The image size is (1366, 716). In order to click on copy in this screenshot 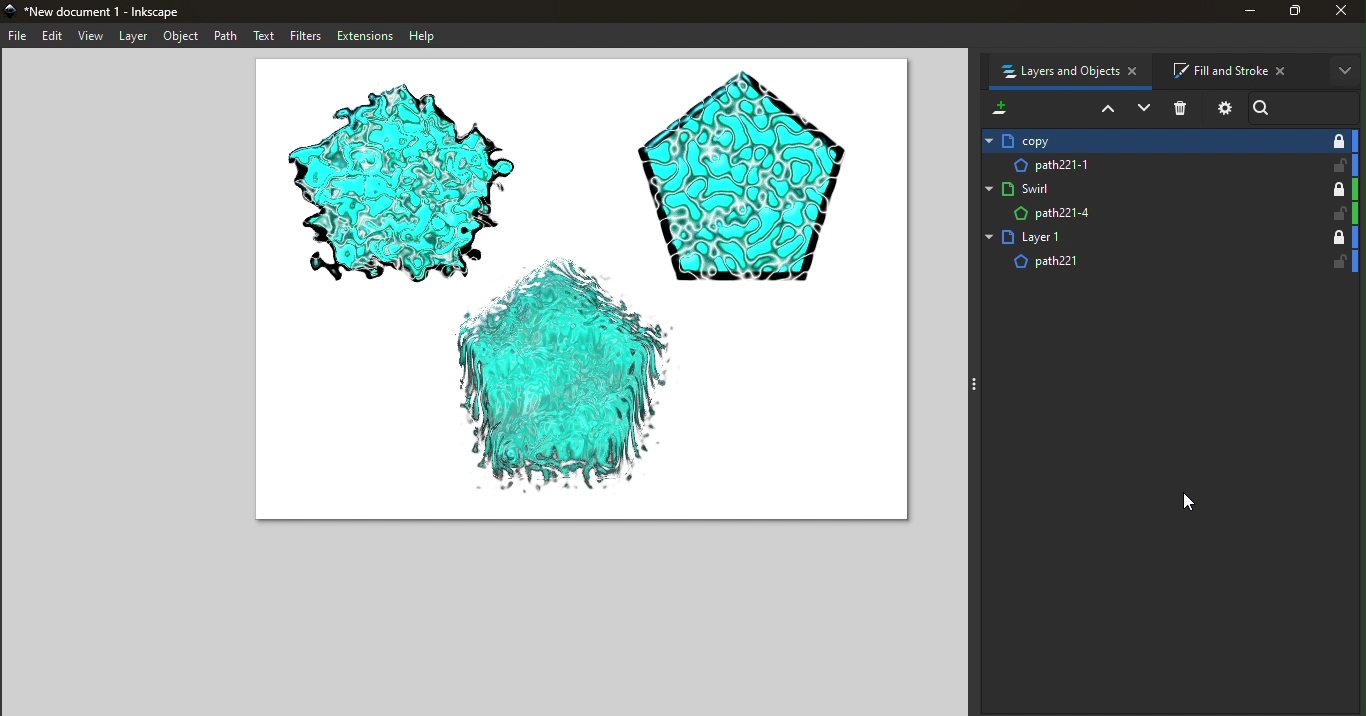, I will do `click(1139, 141)`.